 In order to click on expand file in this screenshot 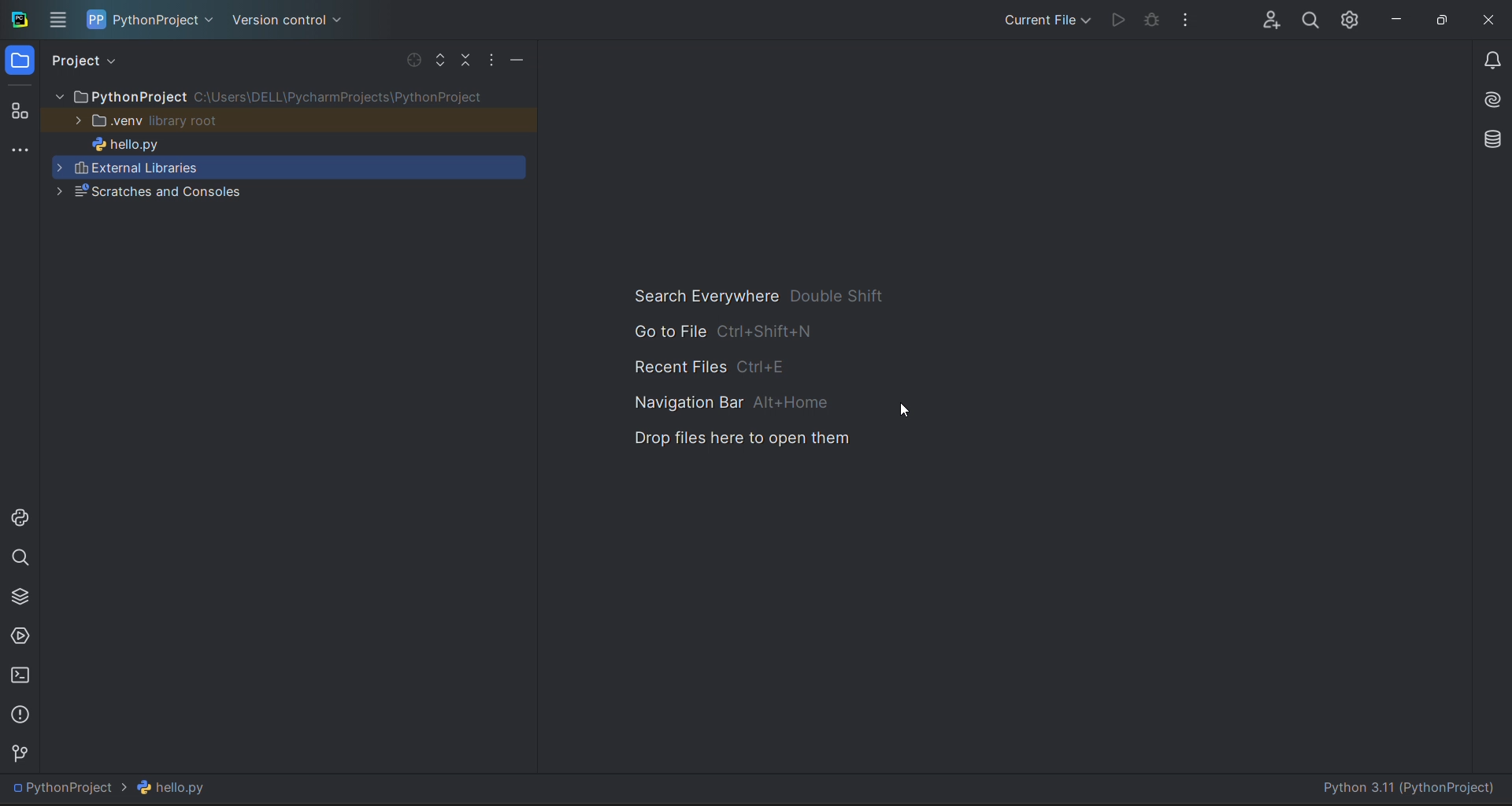, I will do `click(440, 60)`.